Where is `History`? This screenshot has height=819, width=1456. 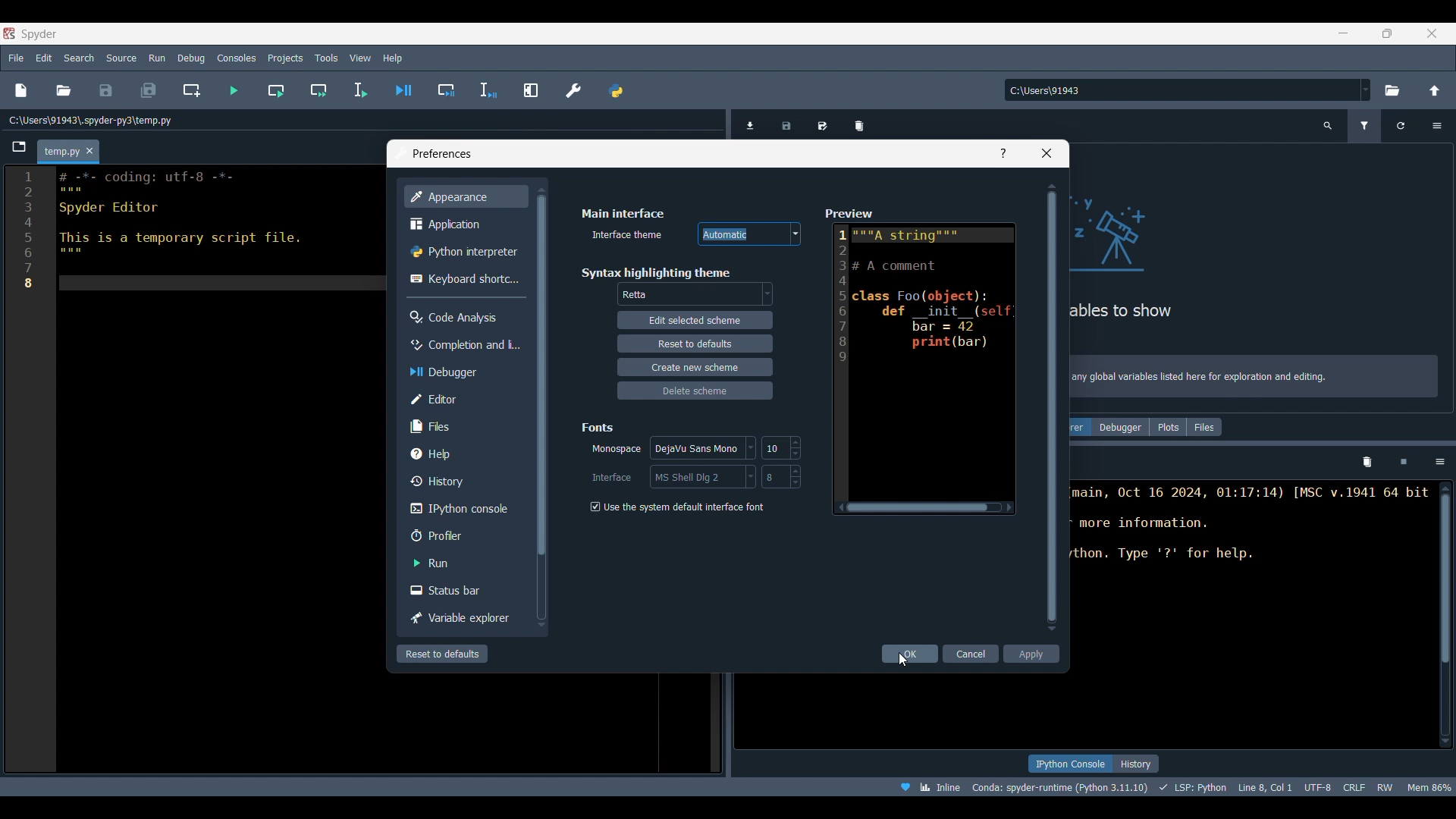
History is located at coordinates (463, 481).